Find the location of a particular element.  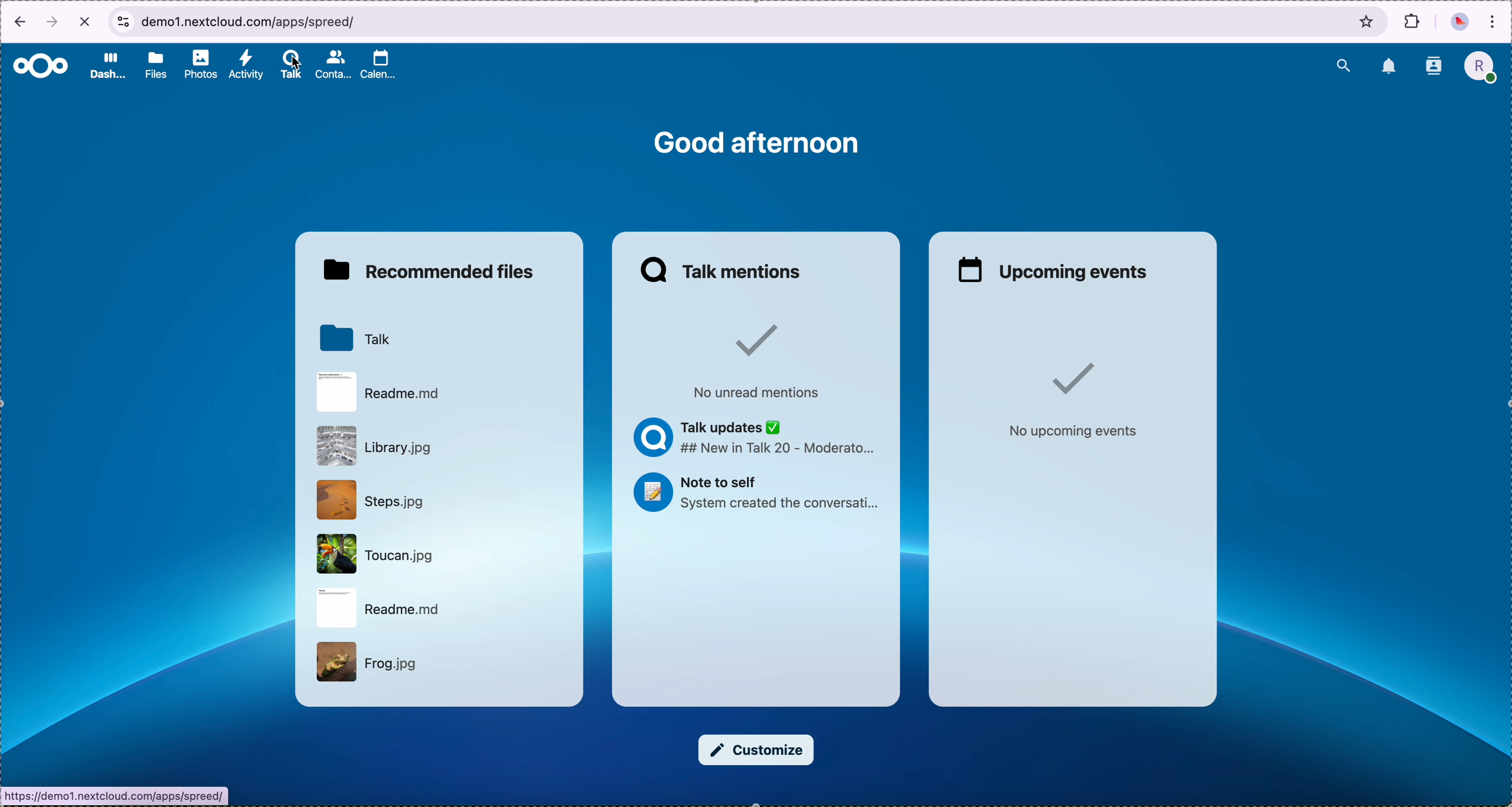

contacts is located at coordinates (333, 63).